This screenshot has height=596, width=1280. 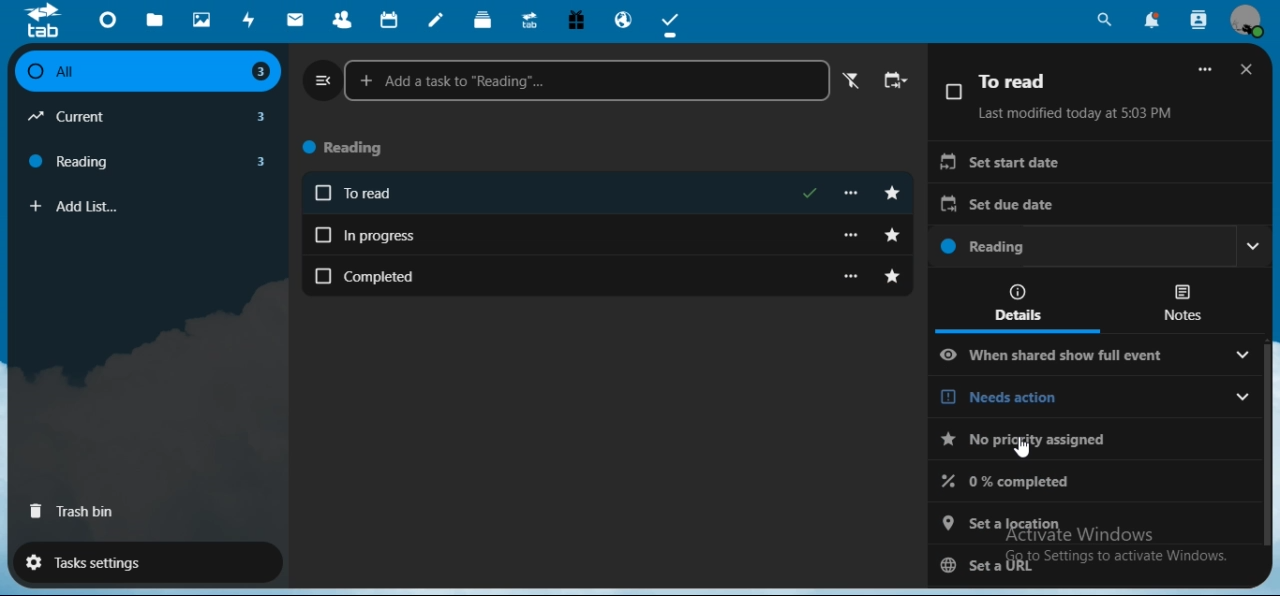 What do you see at coordinates (390, 19) in the screenshot?
I see `calendar` at bounding box center [390, 19].